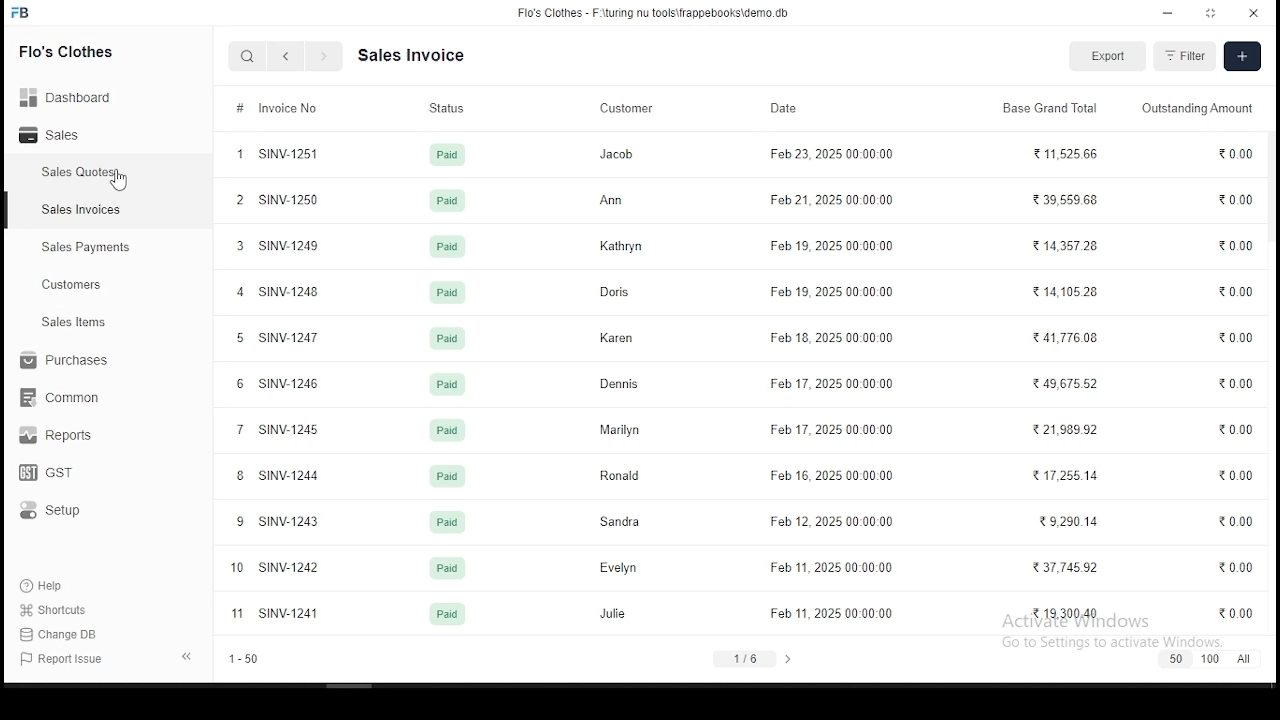  I want to click on R17255.14, so click(1071, 477).